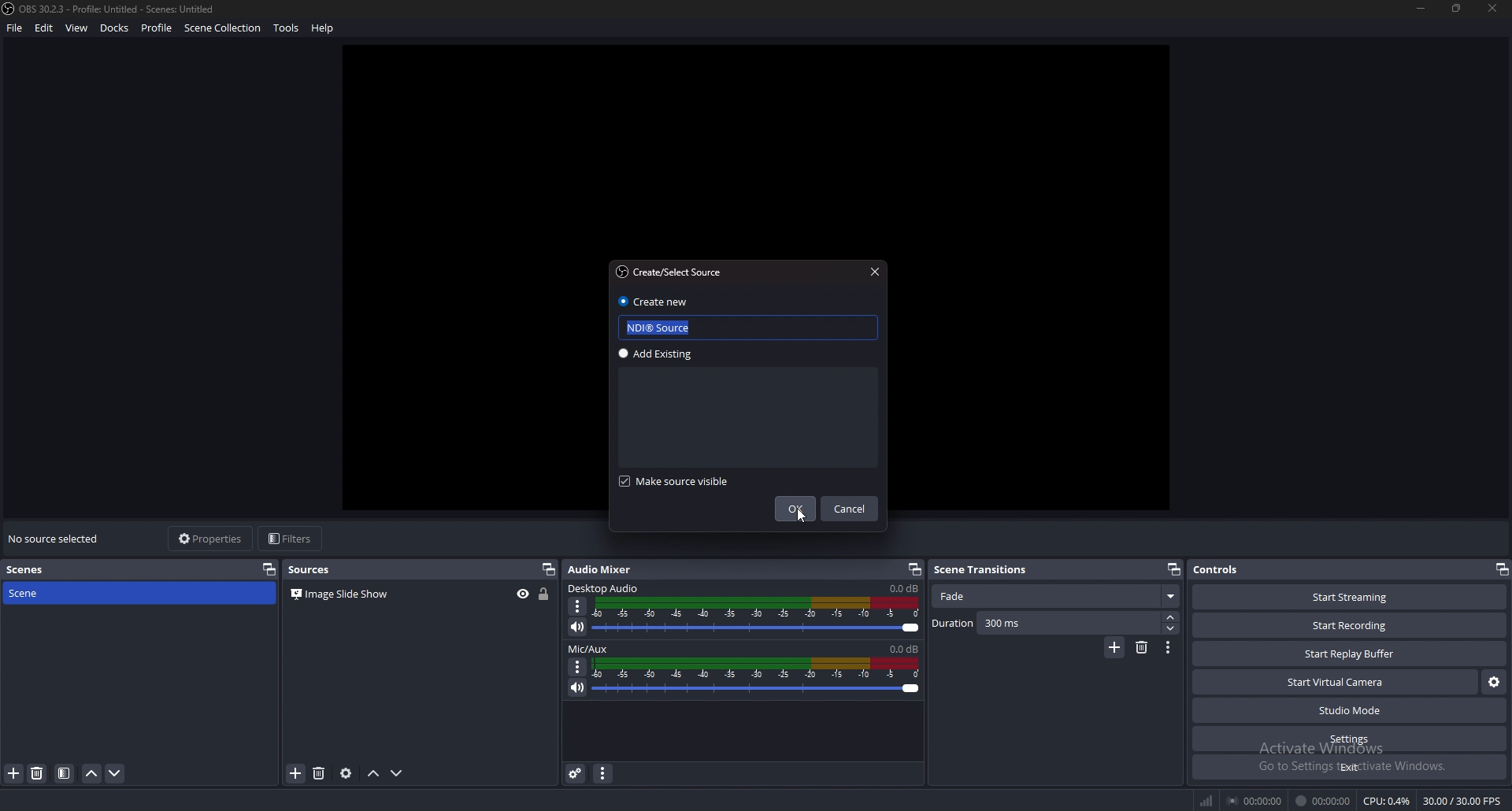  What do you see at coordinates (758, 676) in the screenshot?
I see `volume adjust` at bounding box center [758, 676].